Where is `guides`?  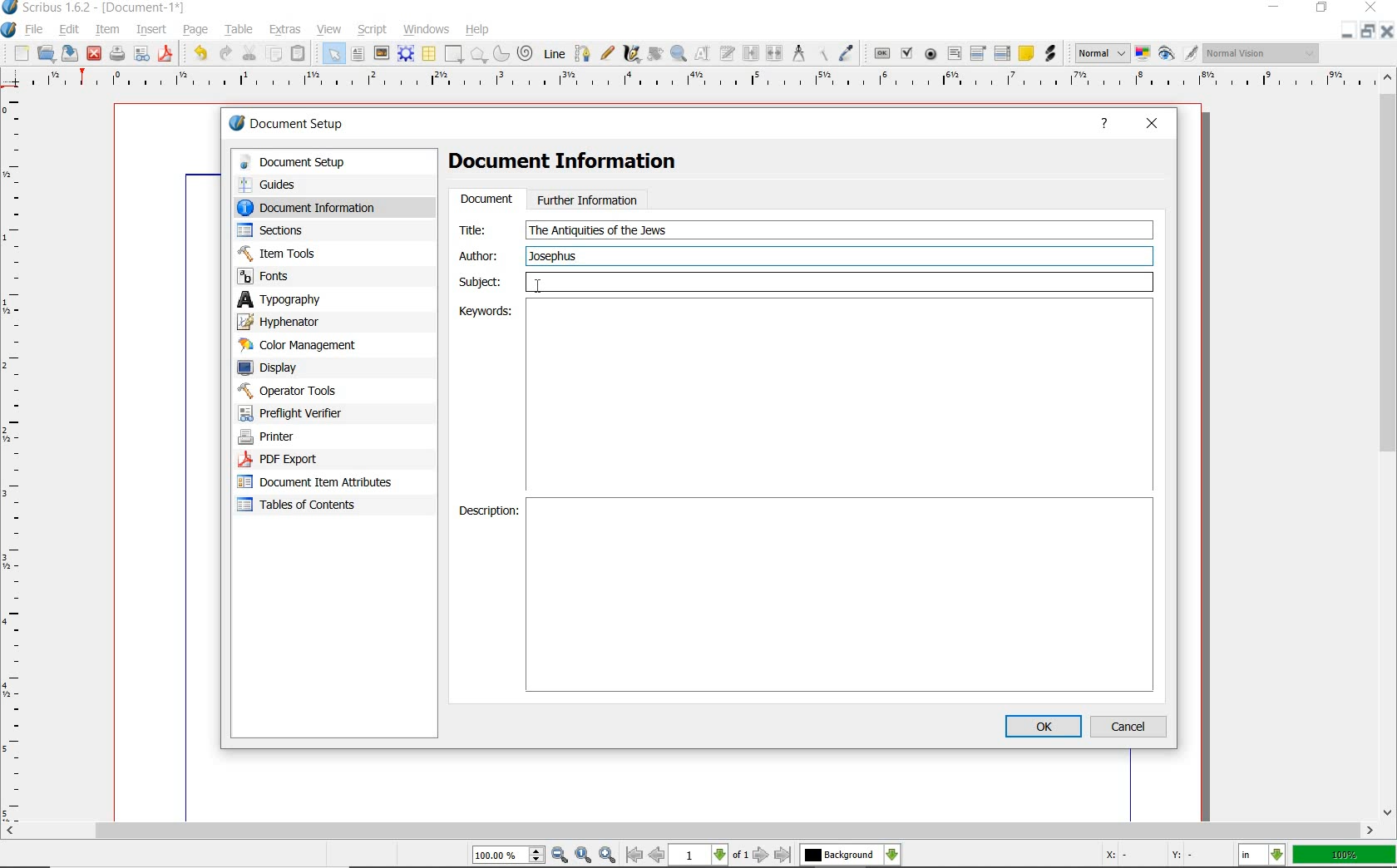 guides is located at coordinates (318, 184).